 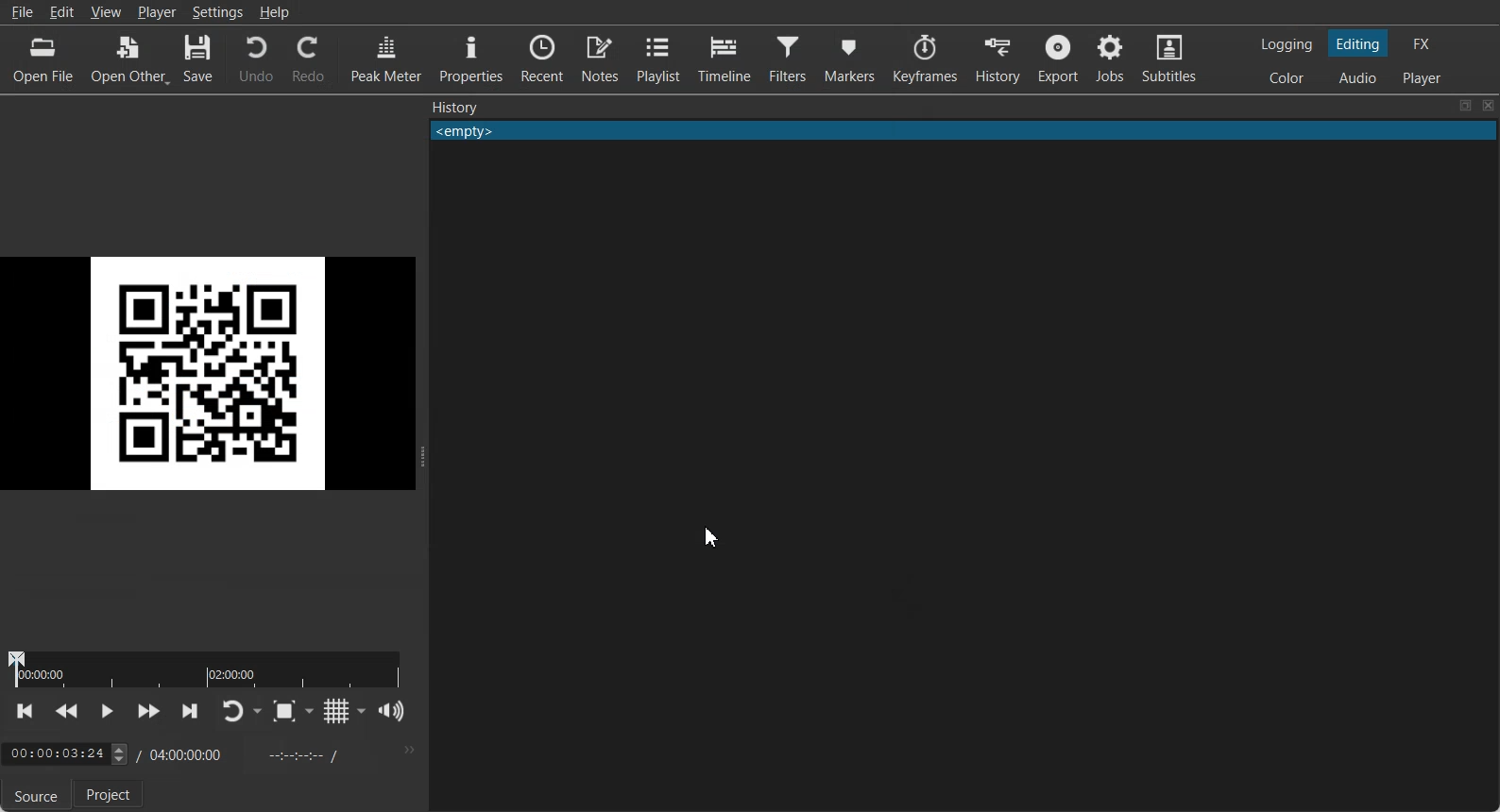 I want to click on Skip to next point, so click(x=191, y=712).